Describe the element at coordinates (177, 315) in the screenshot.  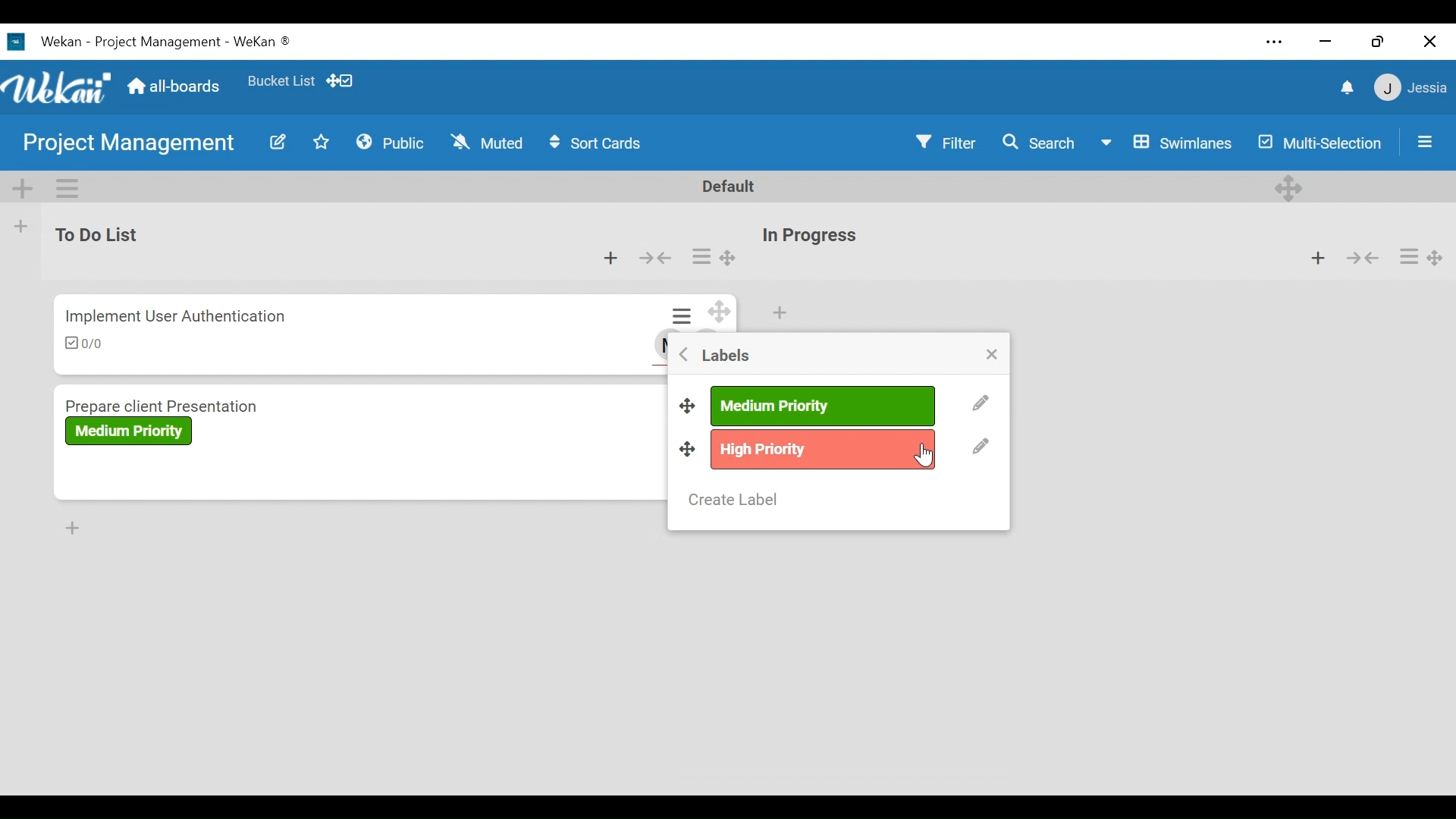
I see `Card Title` at that location.